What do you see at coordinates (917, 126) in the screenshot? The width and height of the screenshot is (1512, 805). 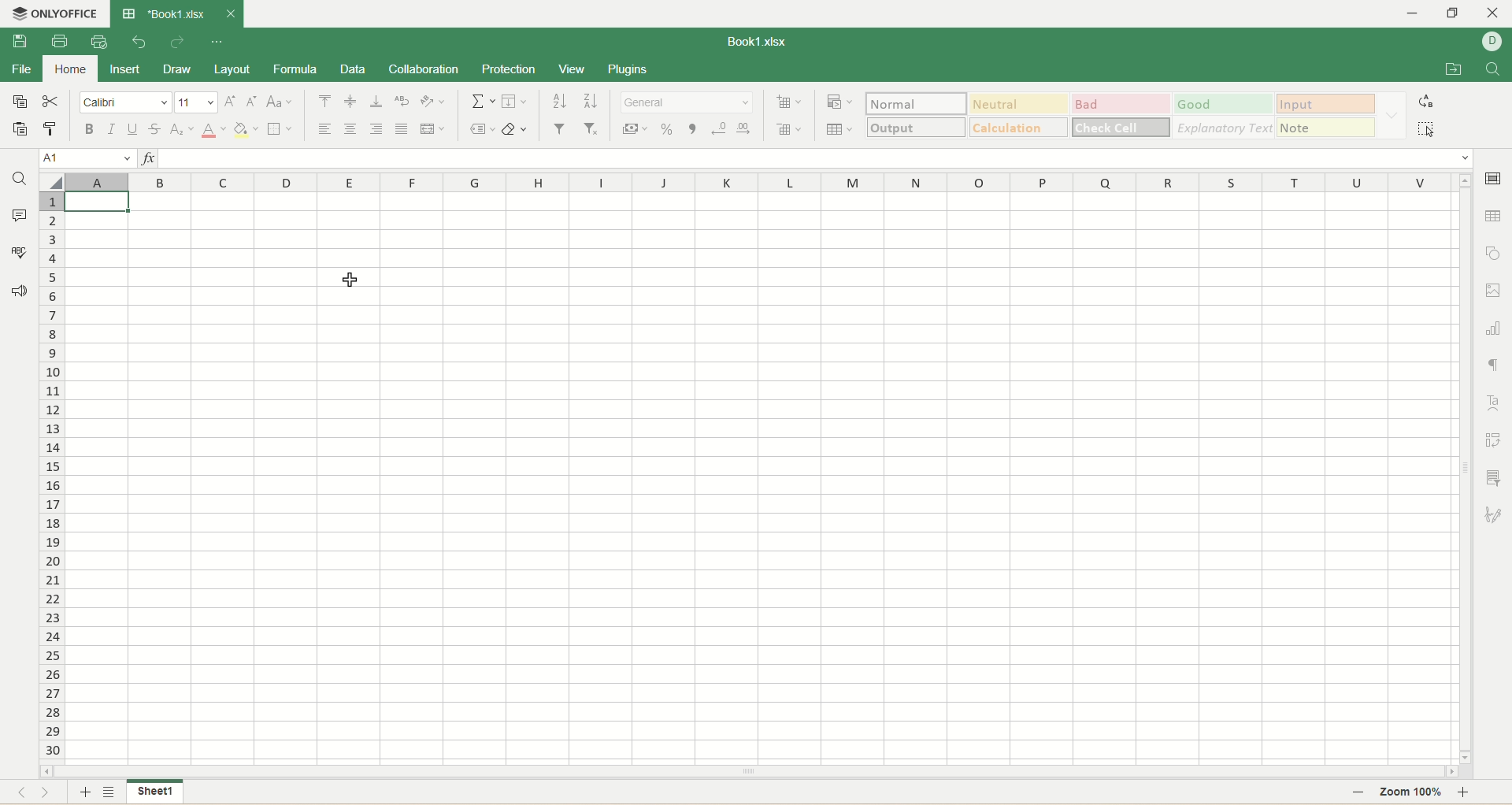 I see `output` at bounding box center [917, 126].